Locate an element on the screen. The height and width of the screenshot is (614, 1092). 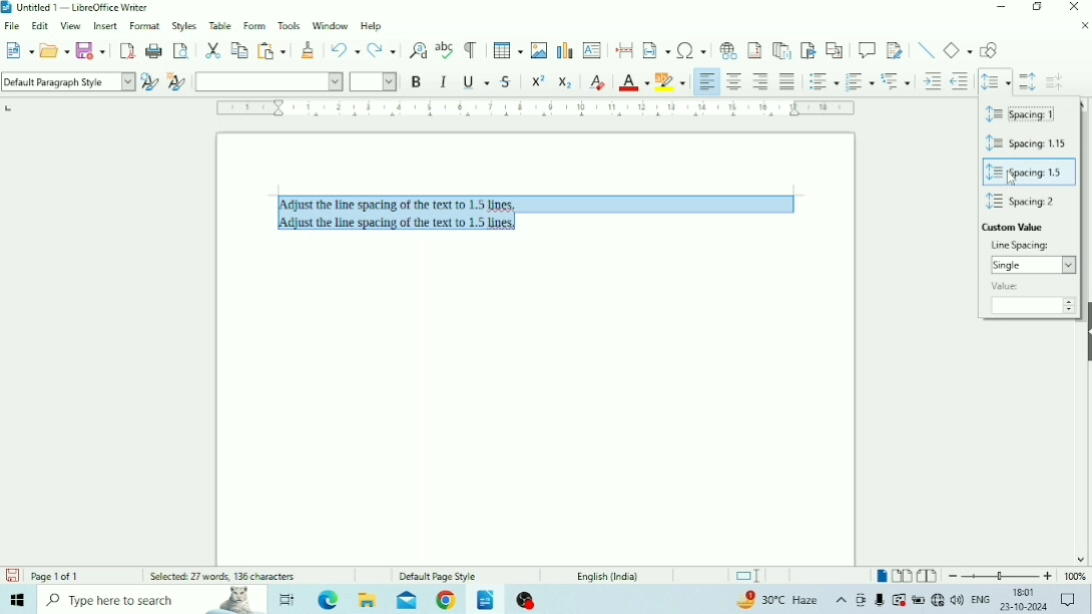
Standard selection is located at coordinates (751, 576).